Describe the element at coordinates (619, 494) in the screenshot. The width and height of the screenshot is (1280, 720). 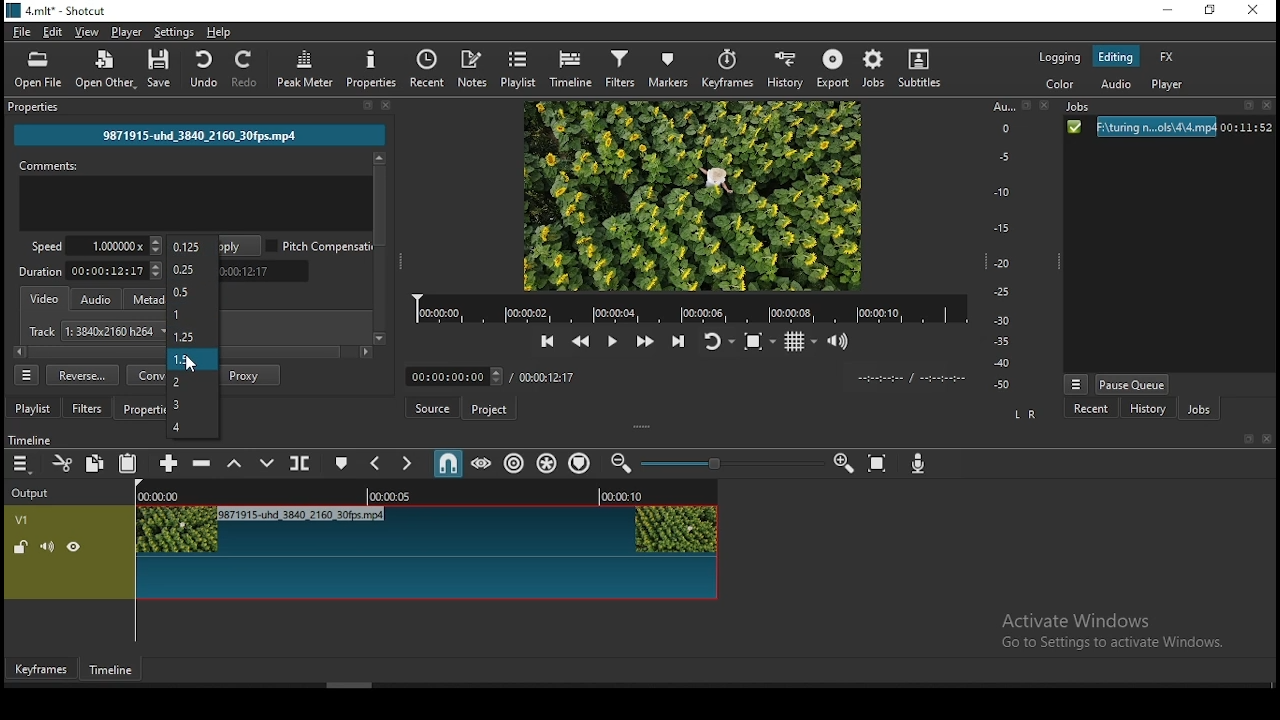
I see `00:00:10` at that location.